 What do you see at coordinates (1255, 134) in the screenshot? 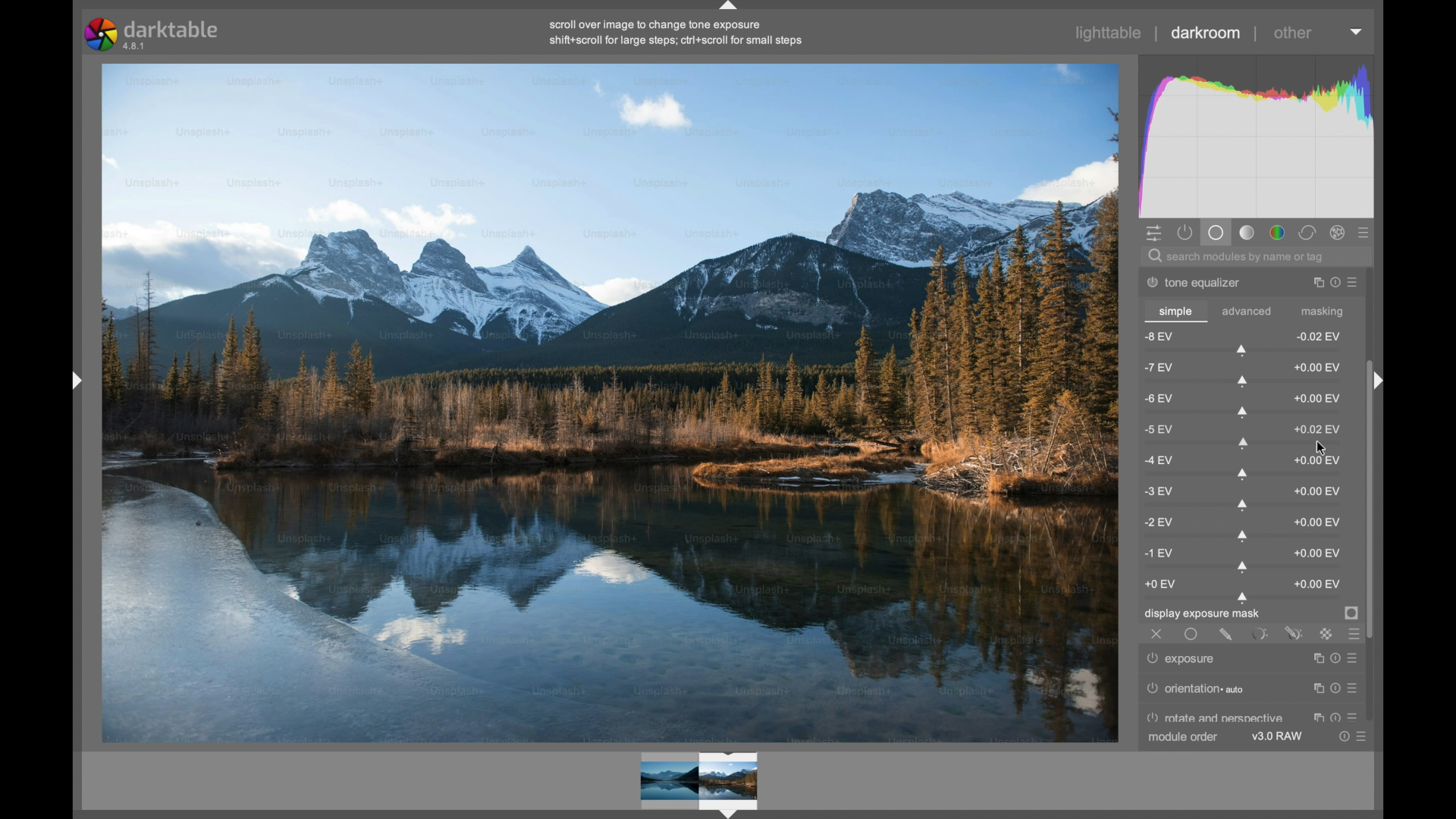
I see `histogram` at bounding box center [1255, 134].